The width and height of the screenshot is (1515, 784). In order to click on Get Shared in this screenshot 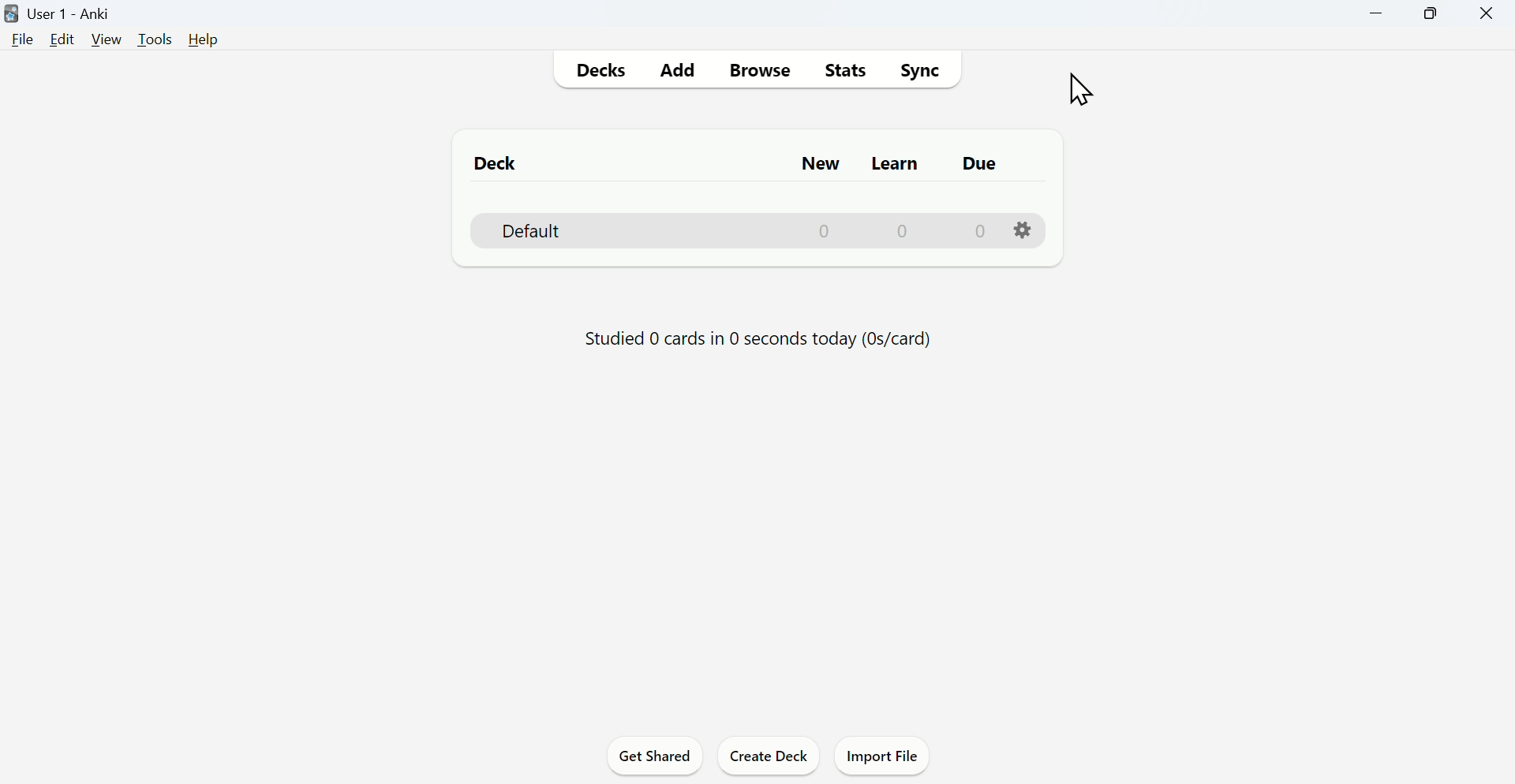, I will do `click(656, 755)`.